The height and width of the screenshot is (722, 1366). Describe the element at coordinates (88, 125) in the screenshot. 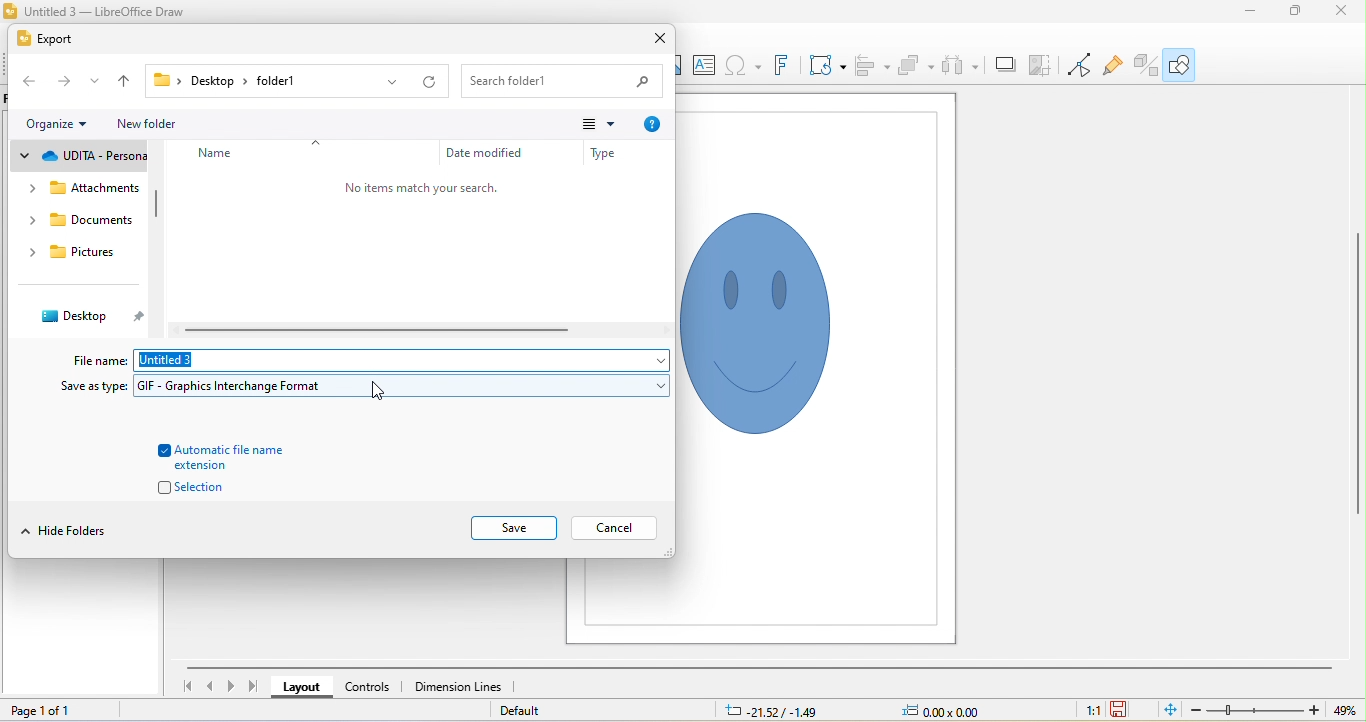

I see `drop down` at that location.